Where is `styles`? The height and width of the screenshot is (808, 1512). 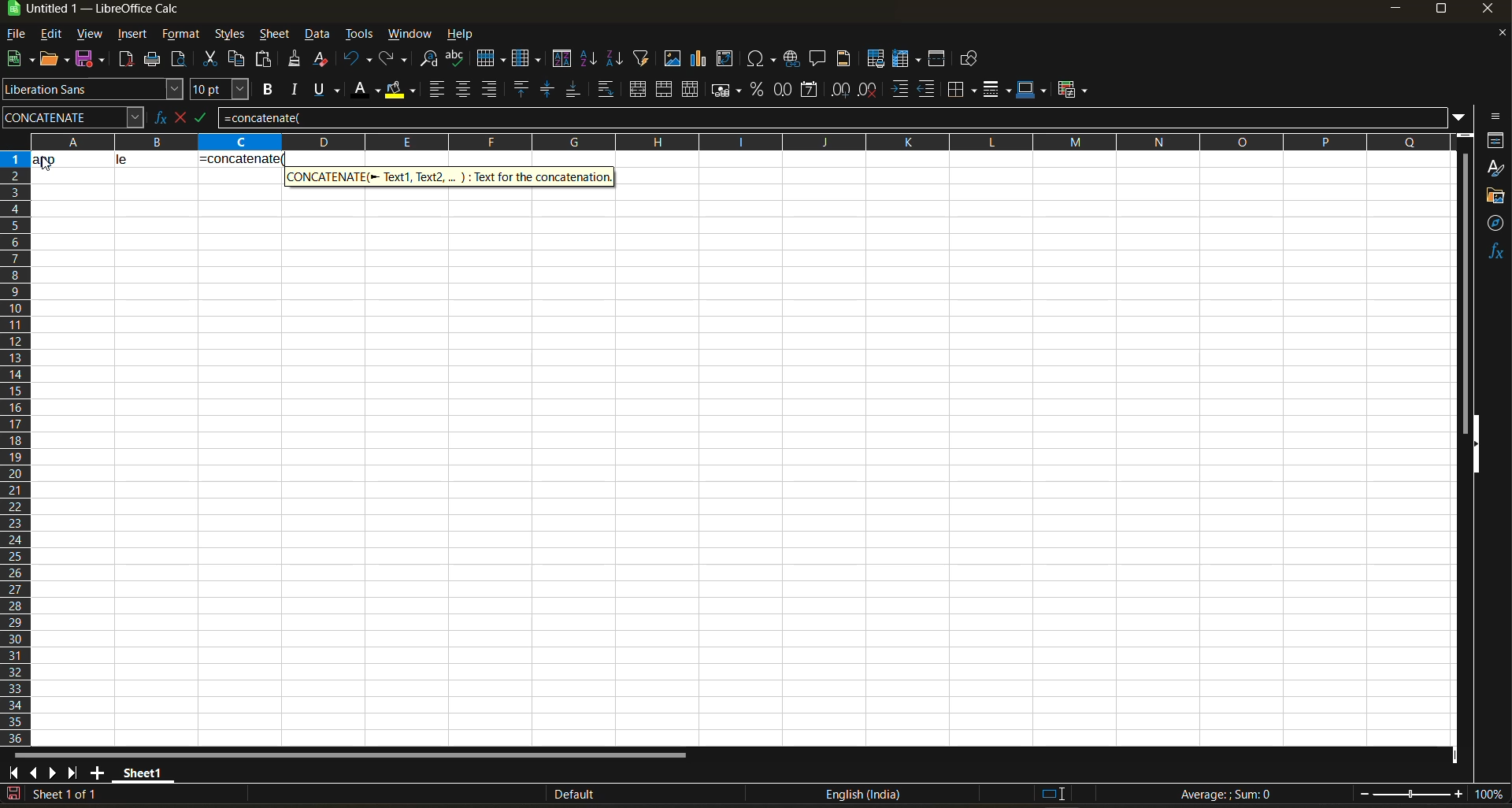
styles is located at coordinates (228, 35).